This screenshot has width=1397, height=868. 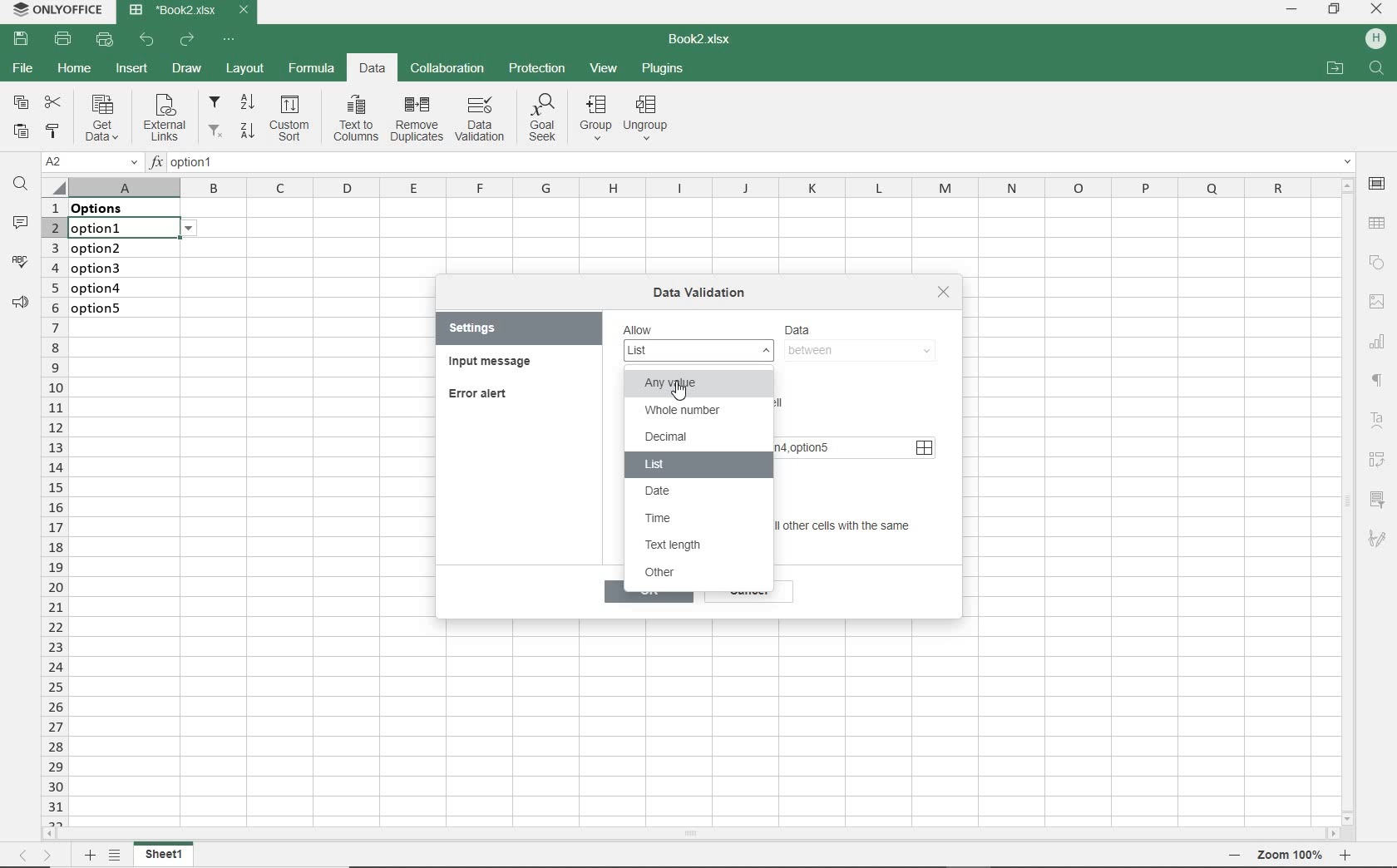 I want to click on CELL SETTINGS, so click(x=1377, y=185).